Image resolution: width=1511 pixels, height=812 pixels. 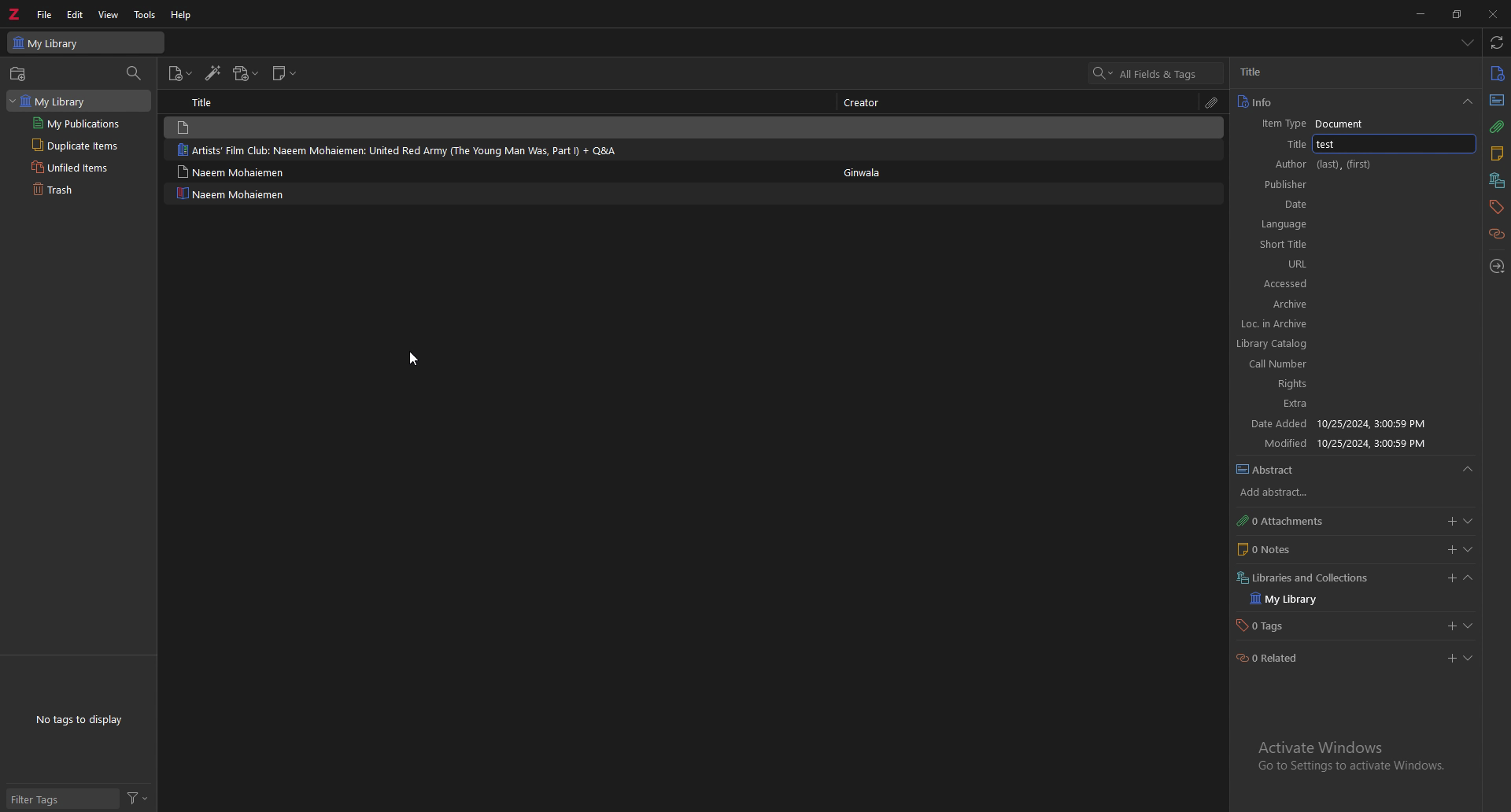 What do you see at coordinates (86, 42) in the screenshot?
I see `my library` at bounding box center [86, 42].